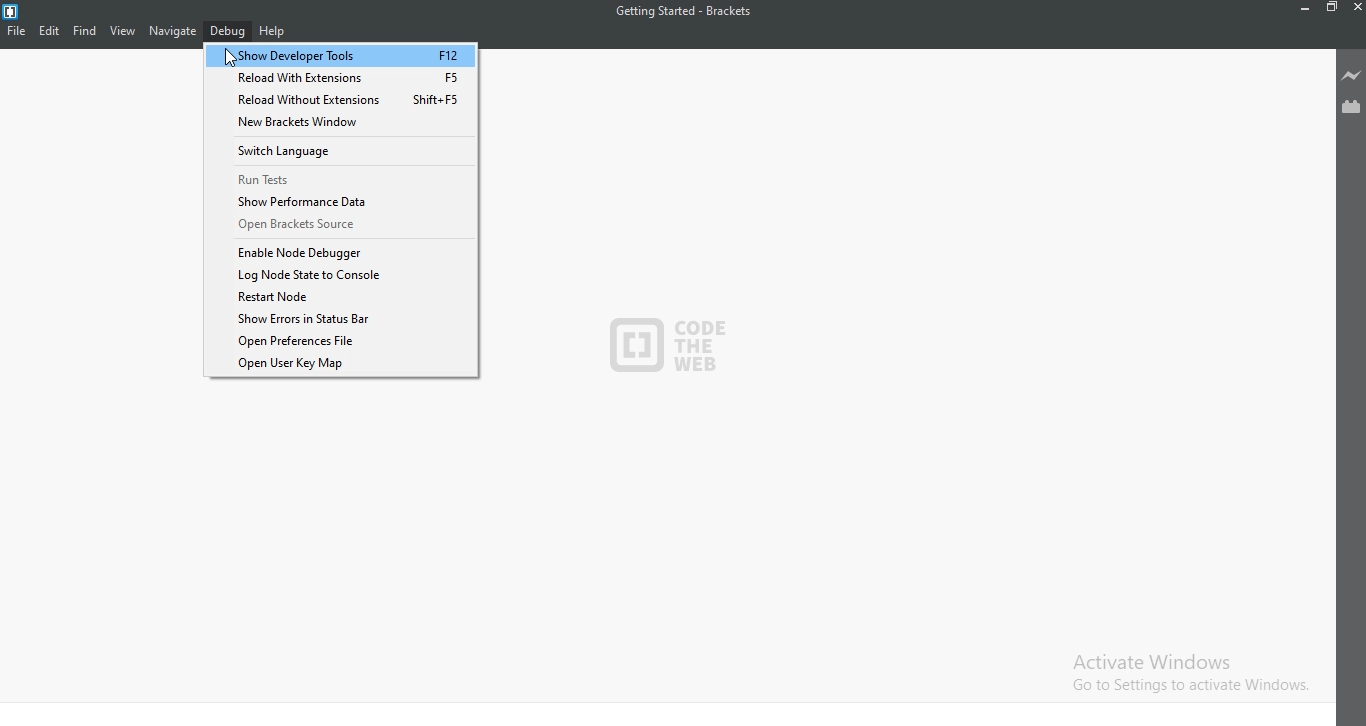 The image size is (1366, 726). I want to click on Switch Language, so click(345, 149).